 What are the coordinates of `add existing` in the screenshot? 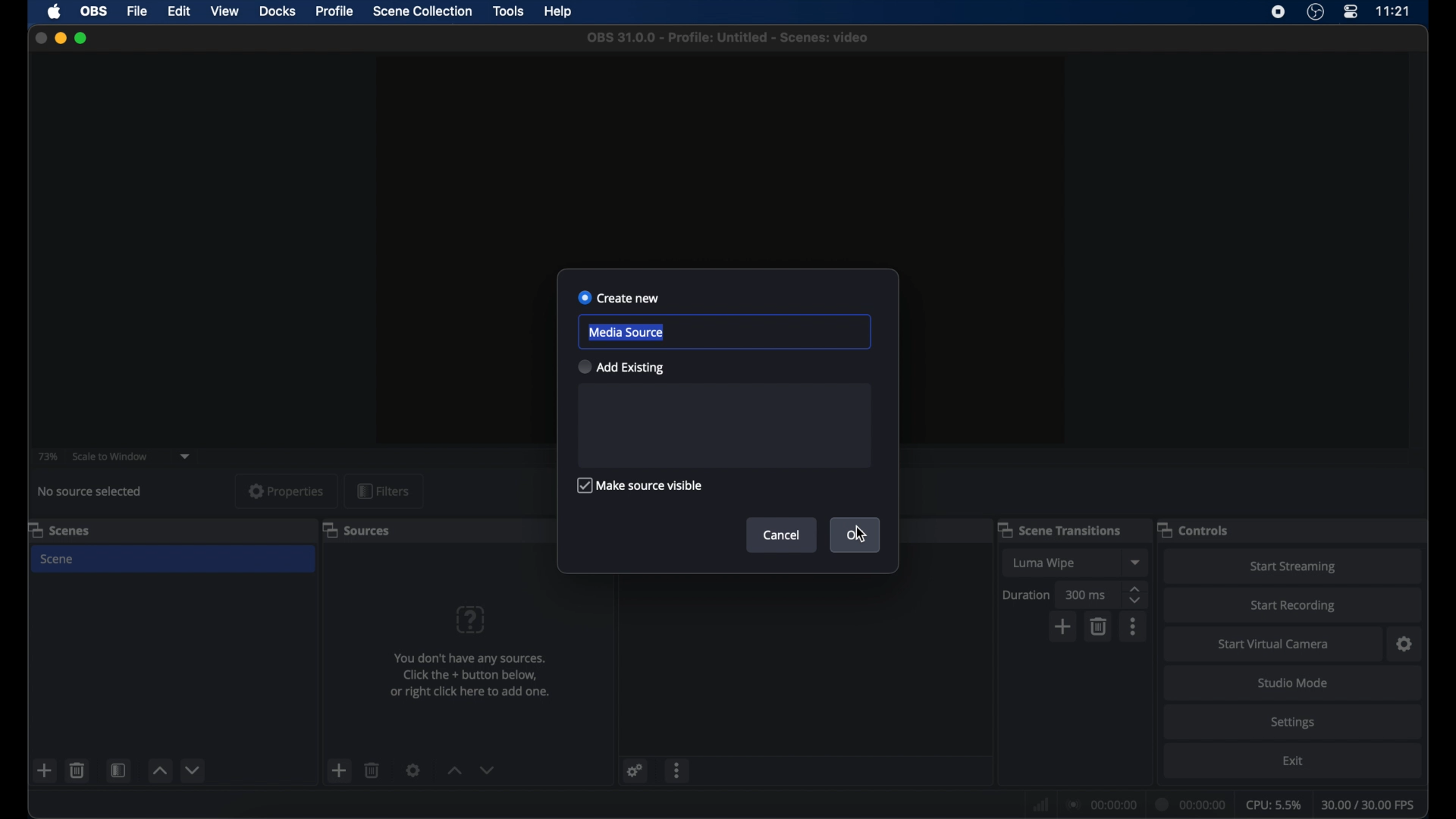 It's located at (622, 367).